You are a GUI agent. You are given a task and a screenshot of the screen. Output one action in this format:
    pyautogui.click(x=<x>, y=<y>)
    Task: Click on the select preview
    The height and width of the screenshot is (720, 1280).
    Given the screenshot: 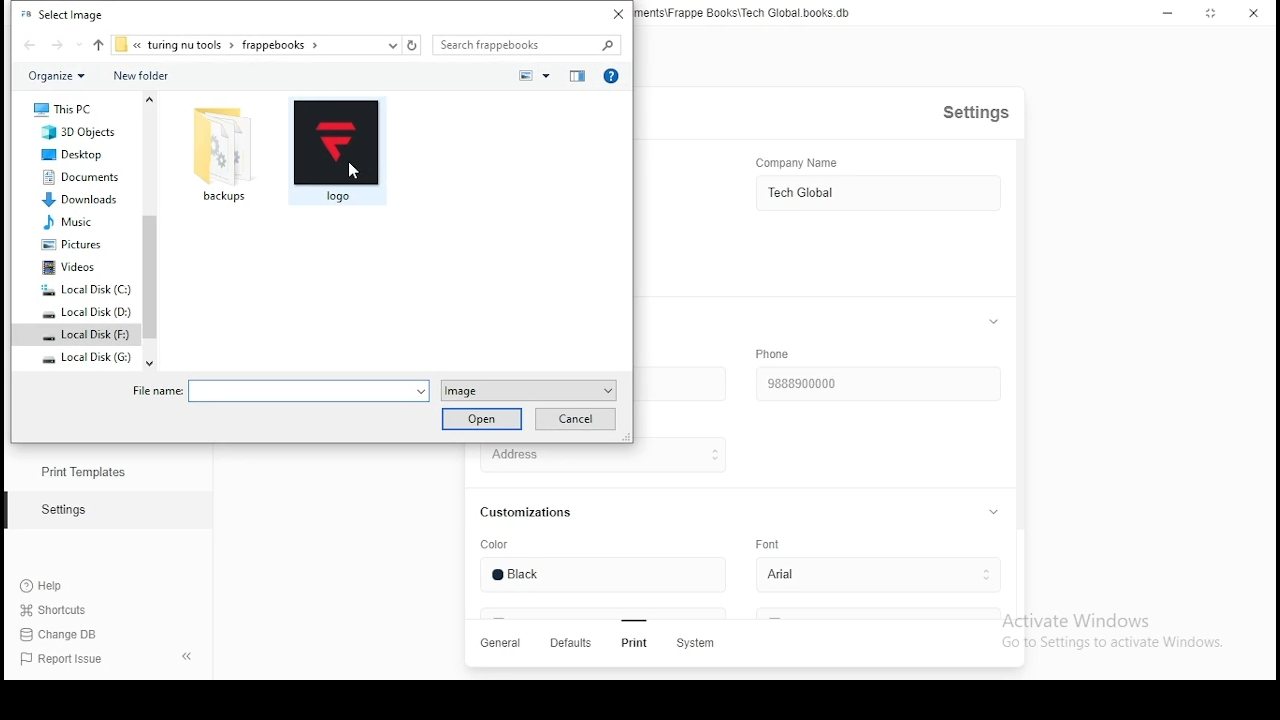 What is the action you would take?
    pyautogui.click(x=532, y=80)
    